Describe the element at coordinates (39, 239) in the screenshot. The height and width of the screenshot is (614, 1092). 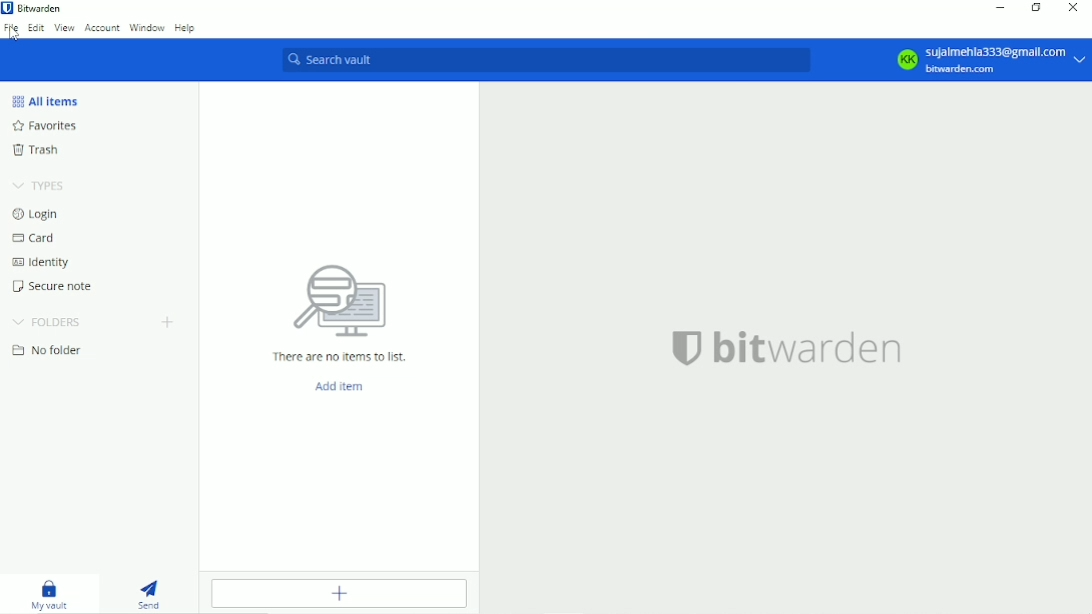
I see `Card` at that location.